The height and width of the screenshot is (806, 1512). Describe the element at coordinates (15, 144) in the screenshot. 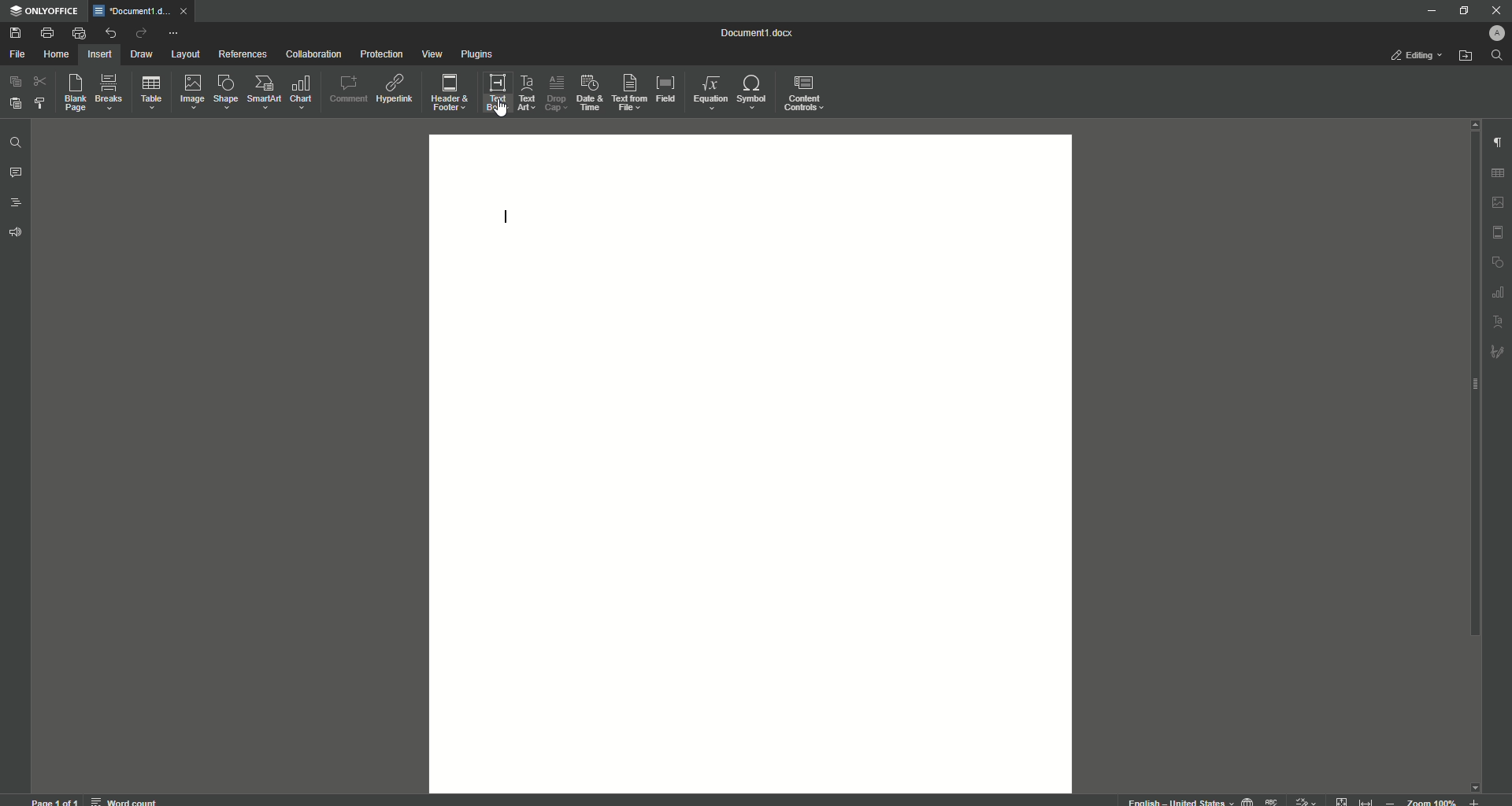

I see `Find` at that location.